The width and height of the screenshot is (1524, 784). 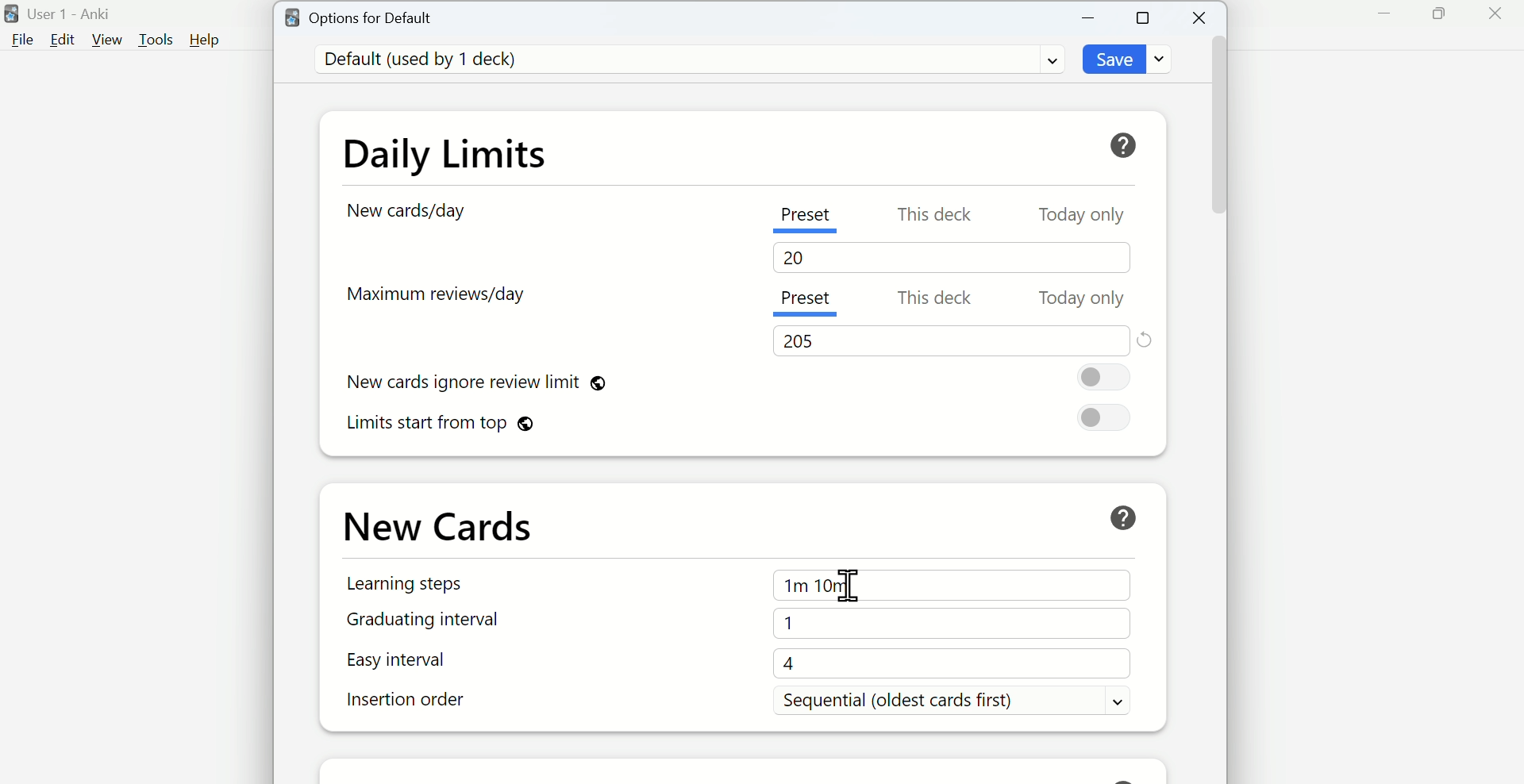 I want to click on Reset, so click(x=1147, y=338).